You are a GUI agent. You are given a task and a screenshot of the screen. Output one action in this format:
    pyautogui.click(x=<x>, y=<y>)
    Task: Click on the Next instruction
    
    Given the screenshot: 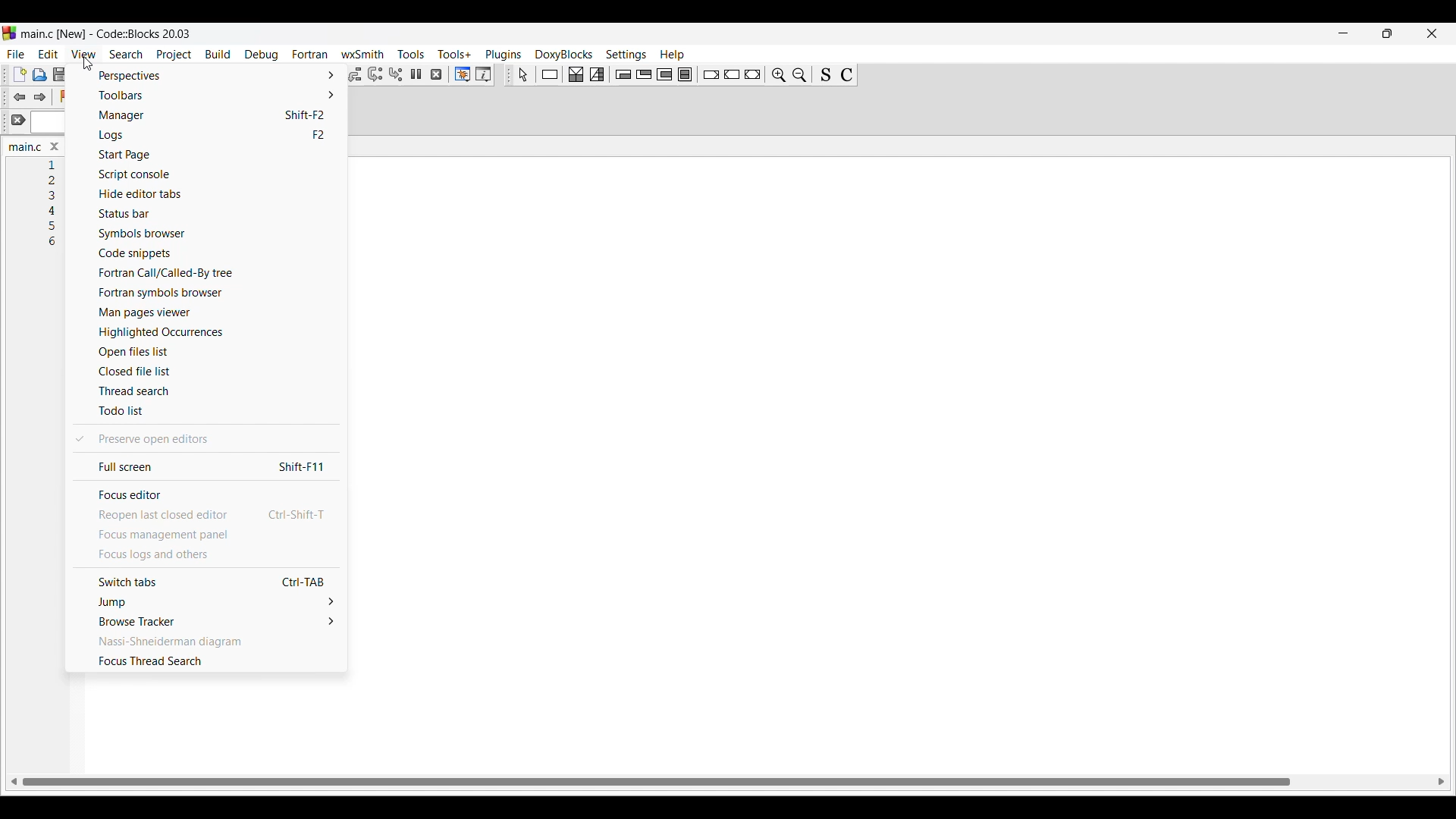 What is the action you would take?
    pyautogui.click(x=375, y=74)
    